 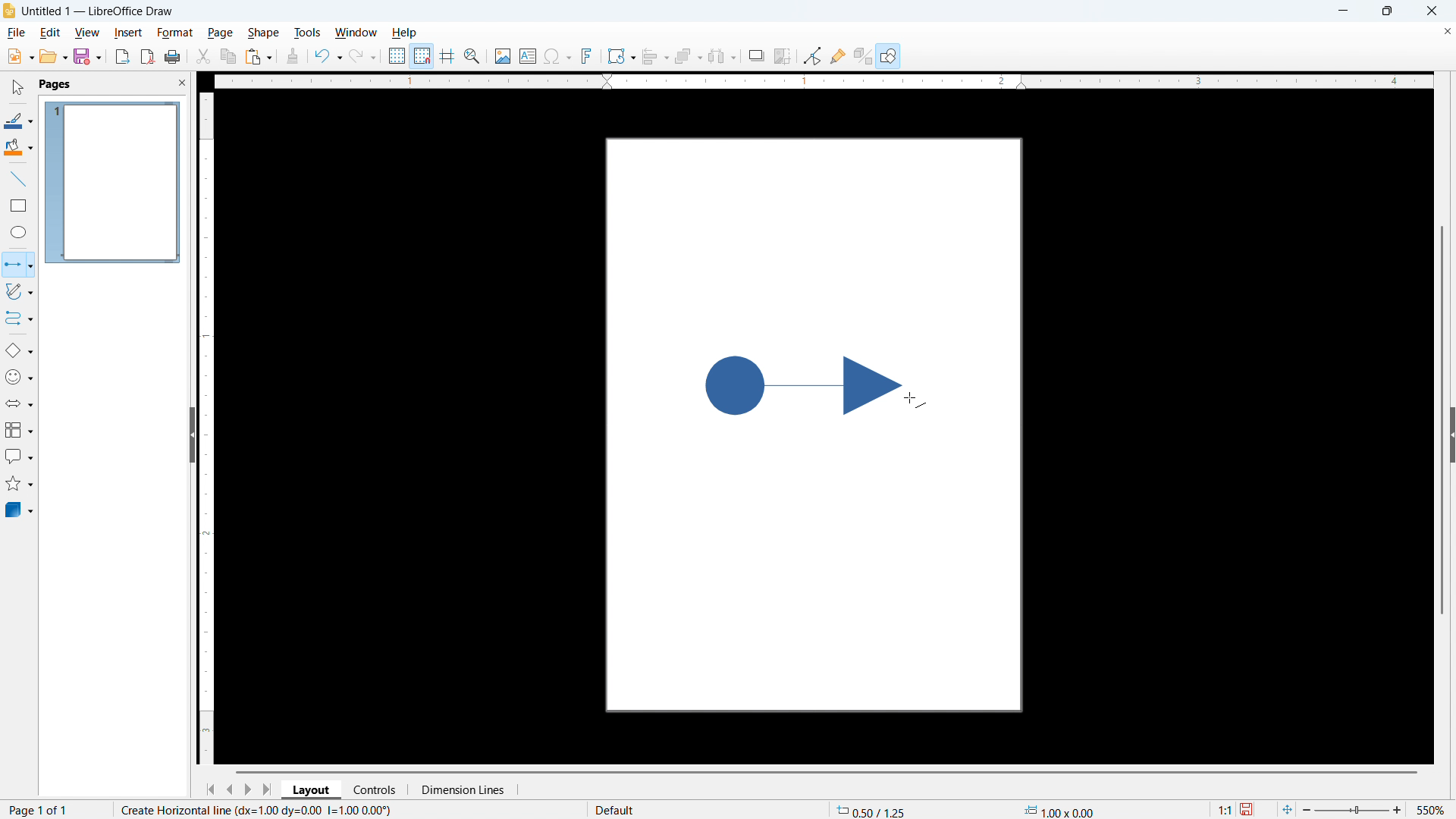 What do you see at coordinates (1431, 11) in the screenshot?
I see `close ` at bounding box center [1431, 11].